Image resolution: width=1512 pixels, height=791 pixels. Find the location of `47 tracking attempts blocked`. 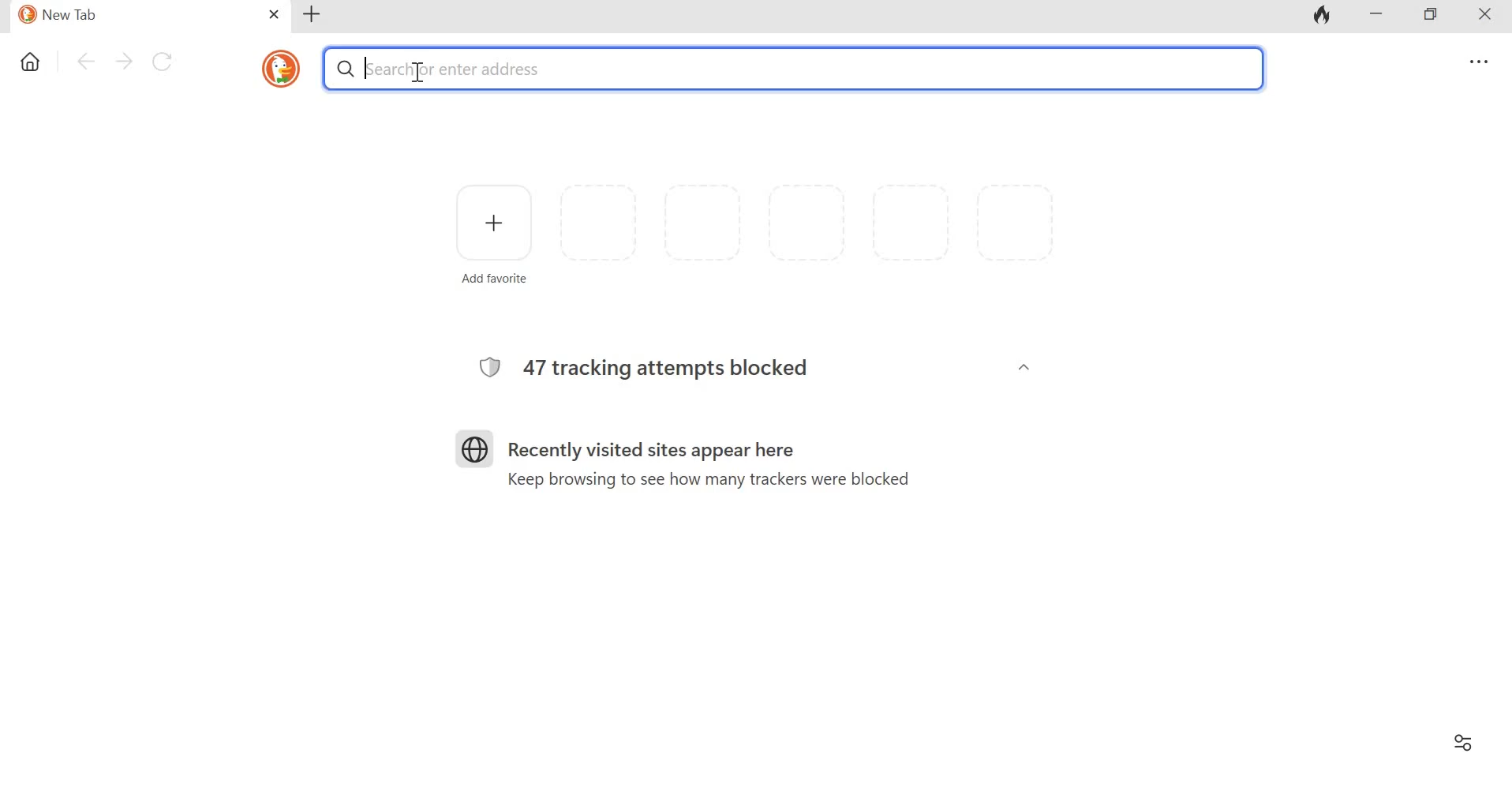

47 tracking attempts blocked is located at coordinates (678, 369).